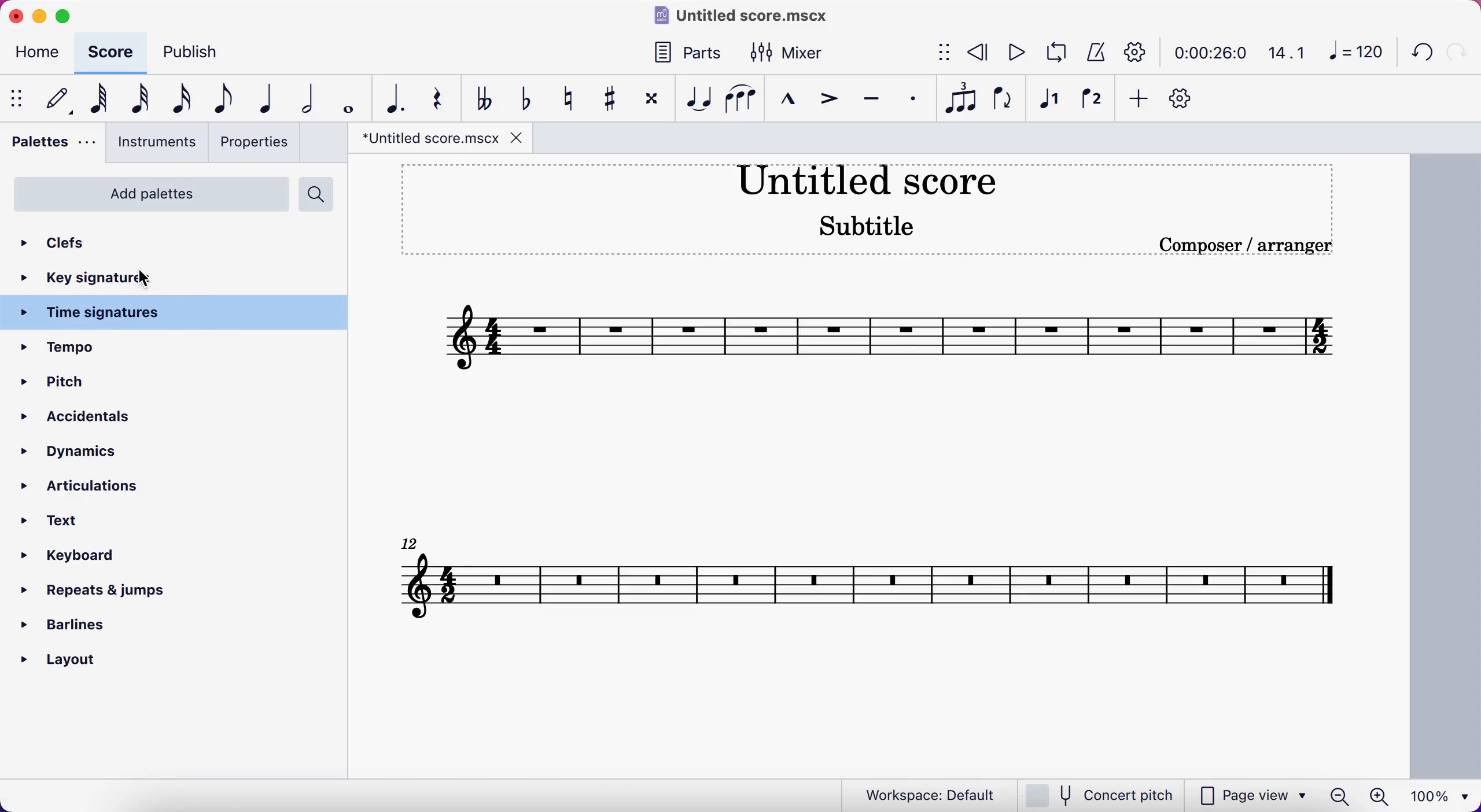  What do you see at coordinates (56, 660) in the screenshot?
I see `layour` at bounding box center [56, 660].